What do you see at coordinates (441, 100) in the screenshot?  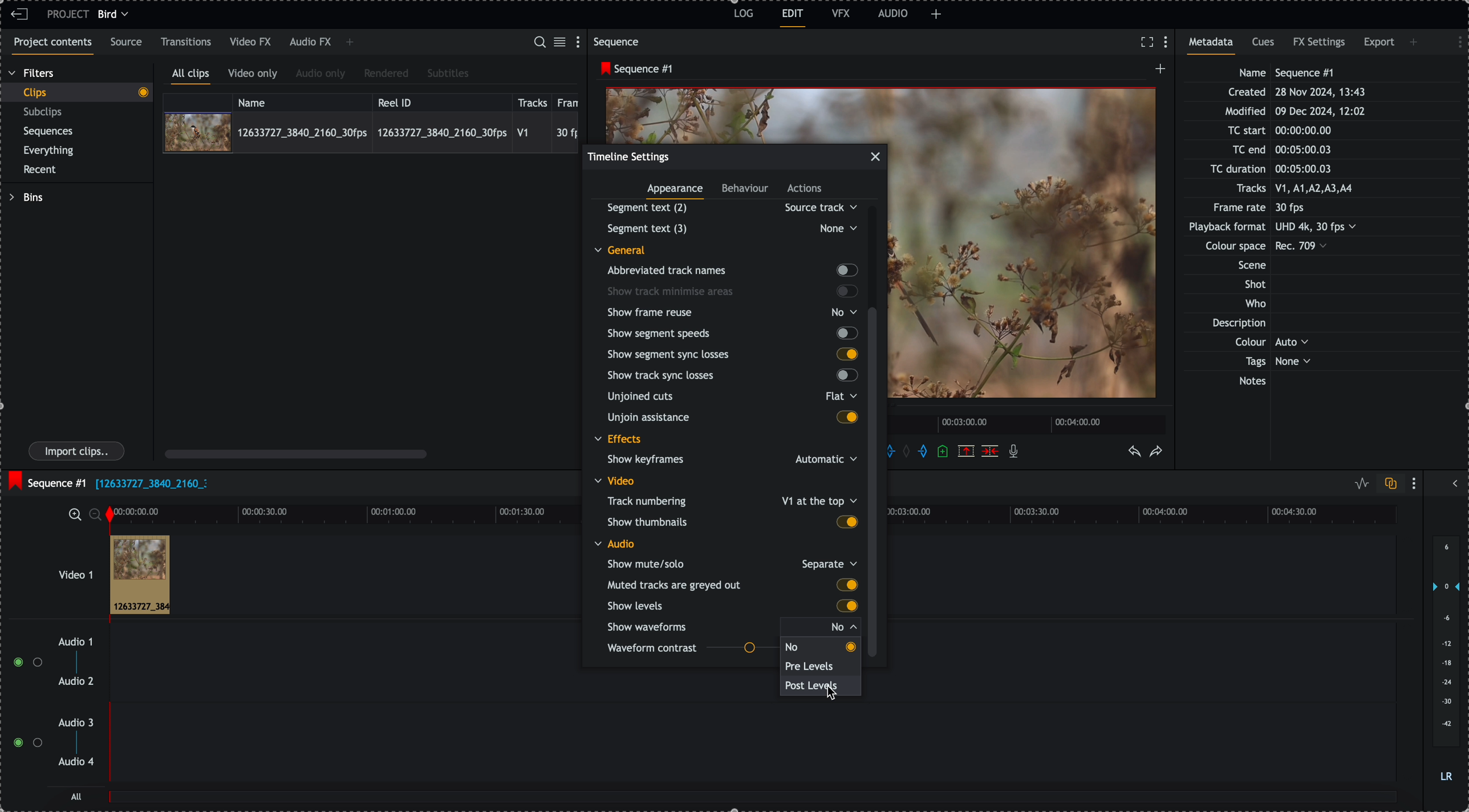 I see `reel ID` at bounding box center [441, 100].